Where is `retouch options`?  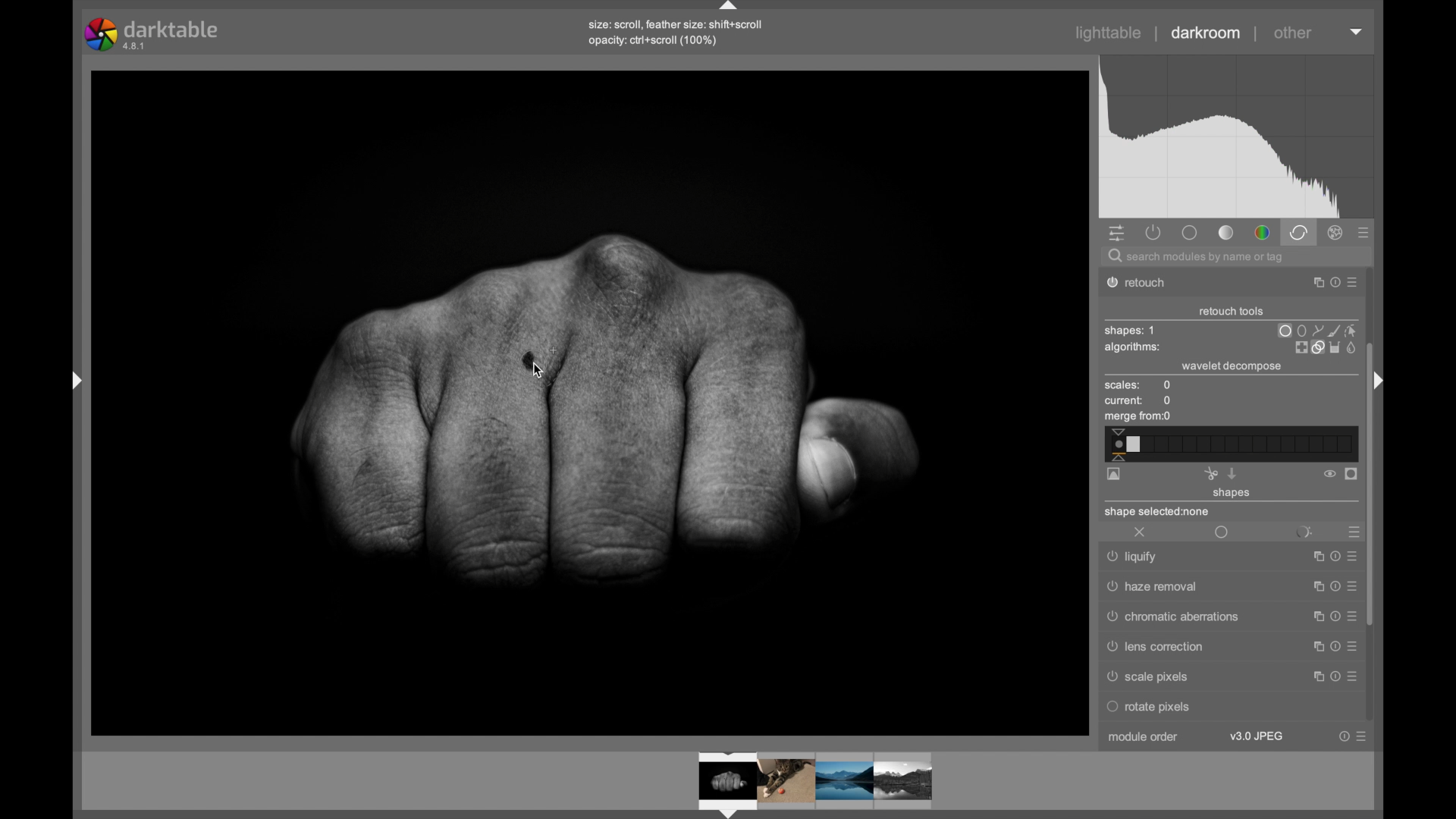
retouch options is located at coordinates (1324, 347).